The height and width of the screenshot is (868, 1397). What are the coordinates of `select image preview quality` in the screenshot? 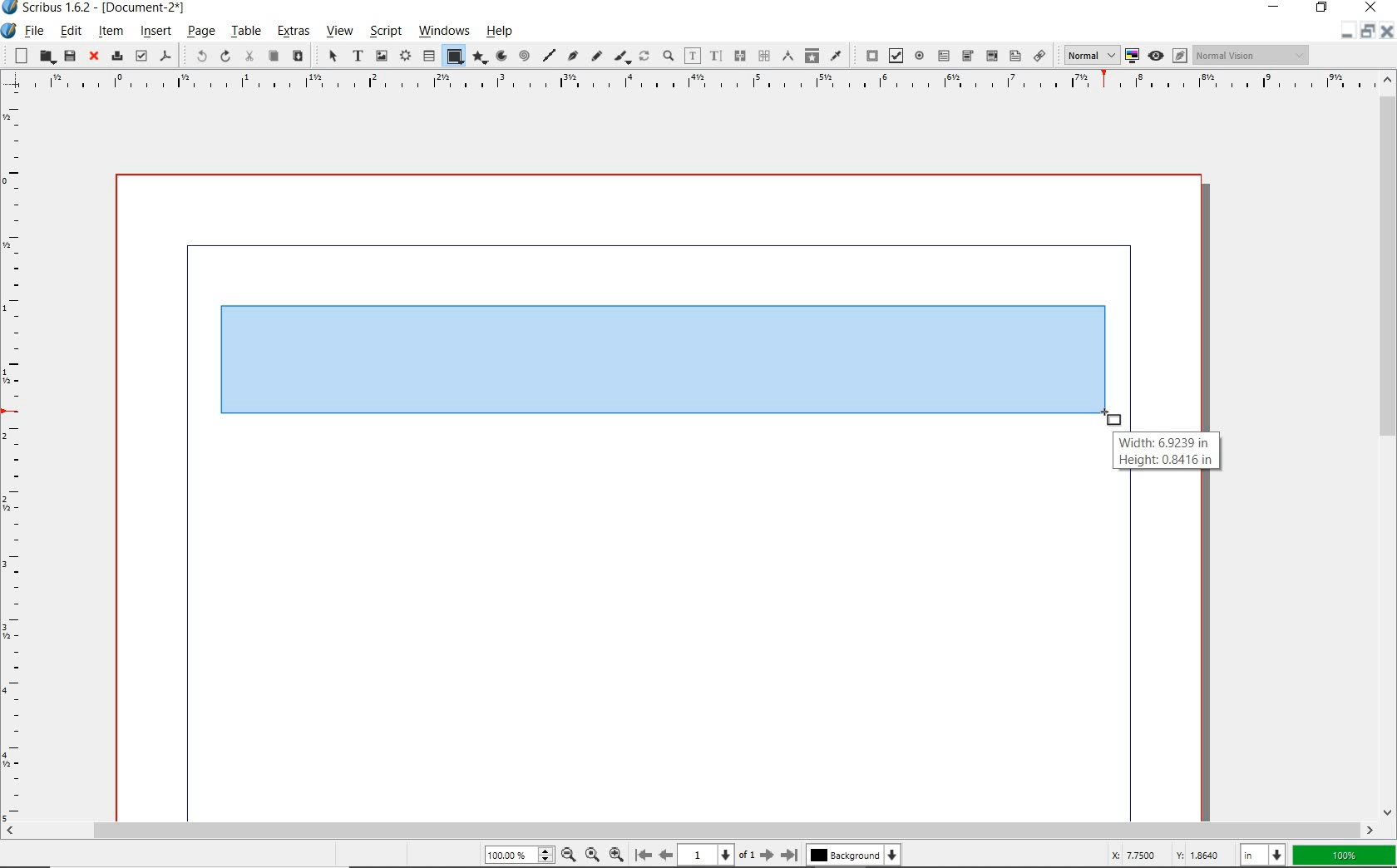 It's located at (1086, 55).